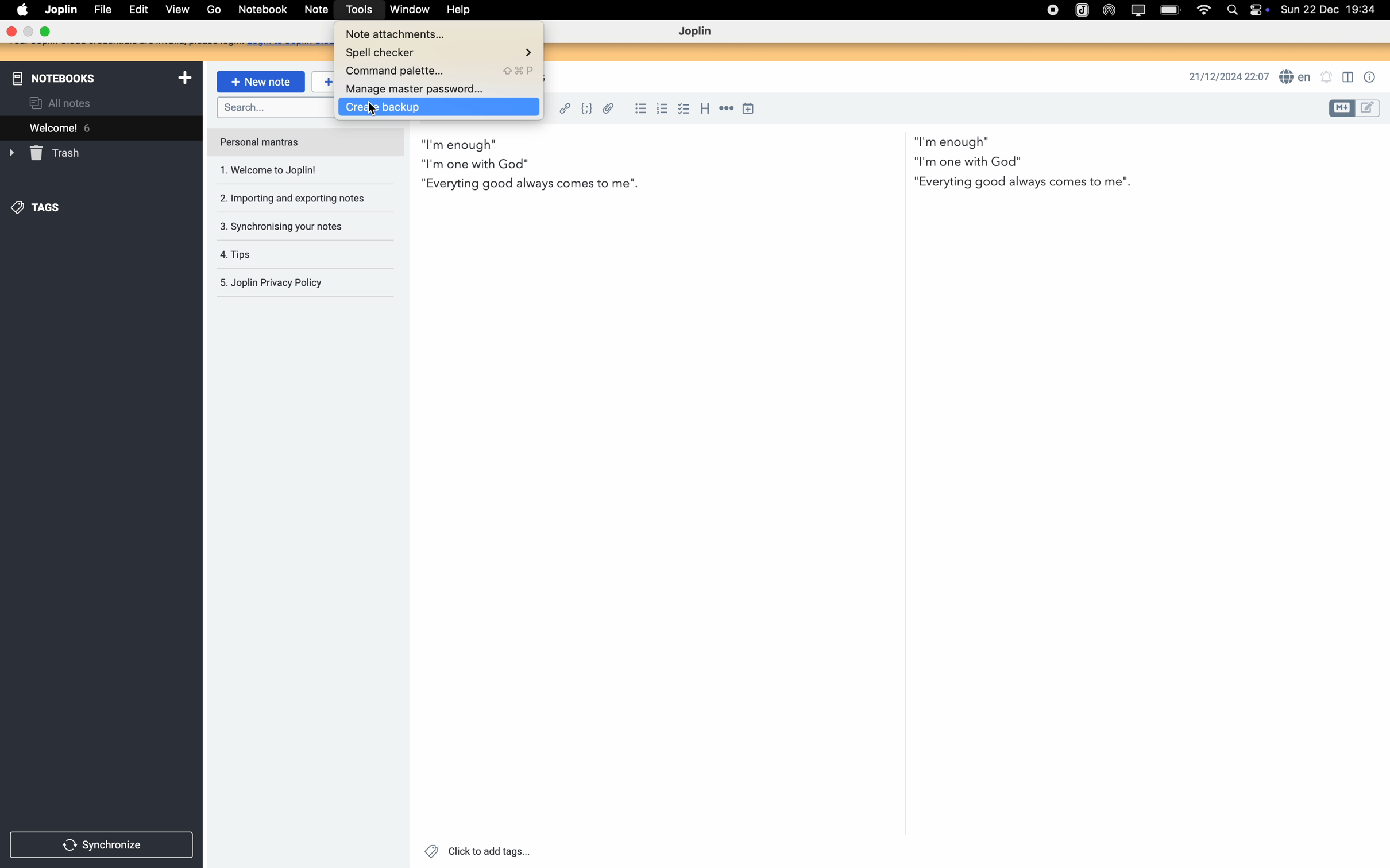  I want to click on tips, so click(236, 256).